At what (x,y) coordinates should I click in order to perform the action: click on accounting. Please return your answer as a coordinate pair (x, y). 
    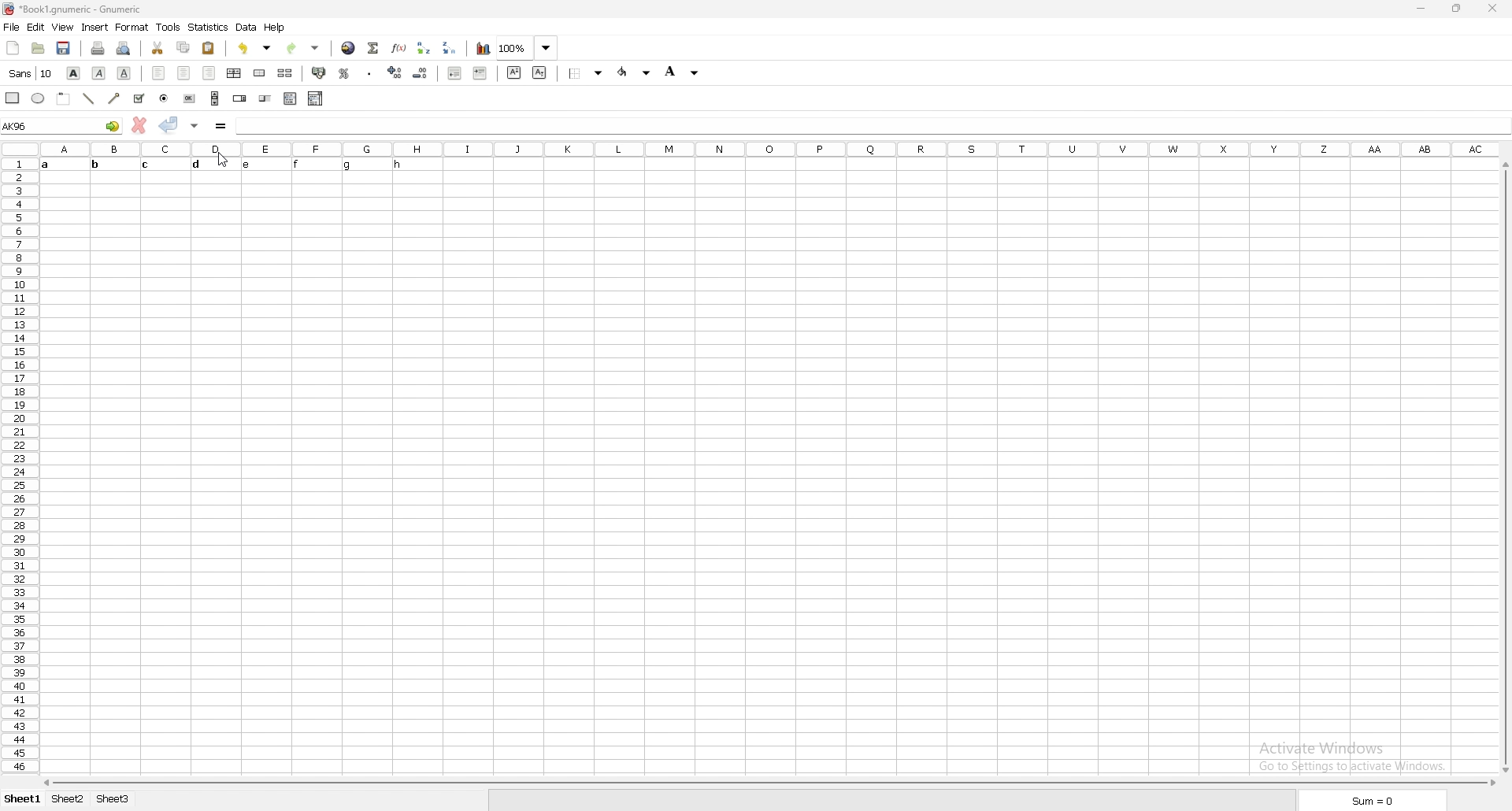
    Looking at the image, I should click on (320, 73).